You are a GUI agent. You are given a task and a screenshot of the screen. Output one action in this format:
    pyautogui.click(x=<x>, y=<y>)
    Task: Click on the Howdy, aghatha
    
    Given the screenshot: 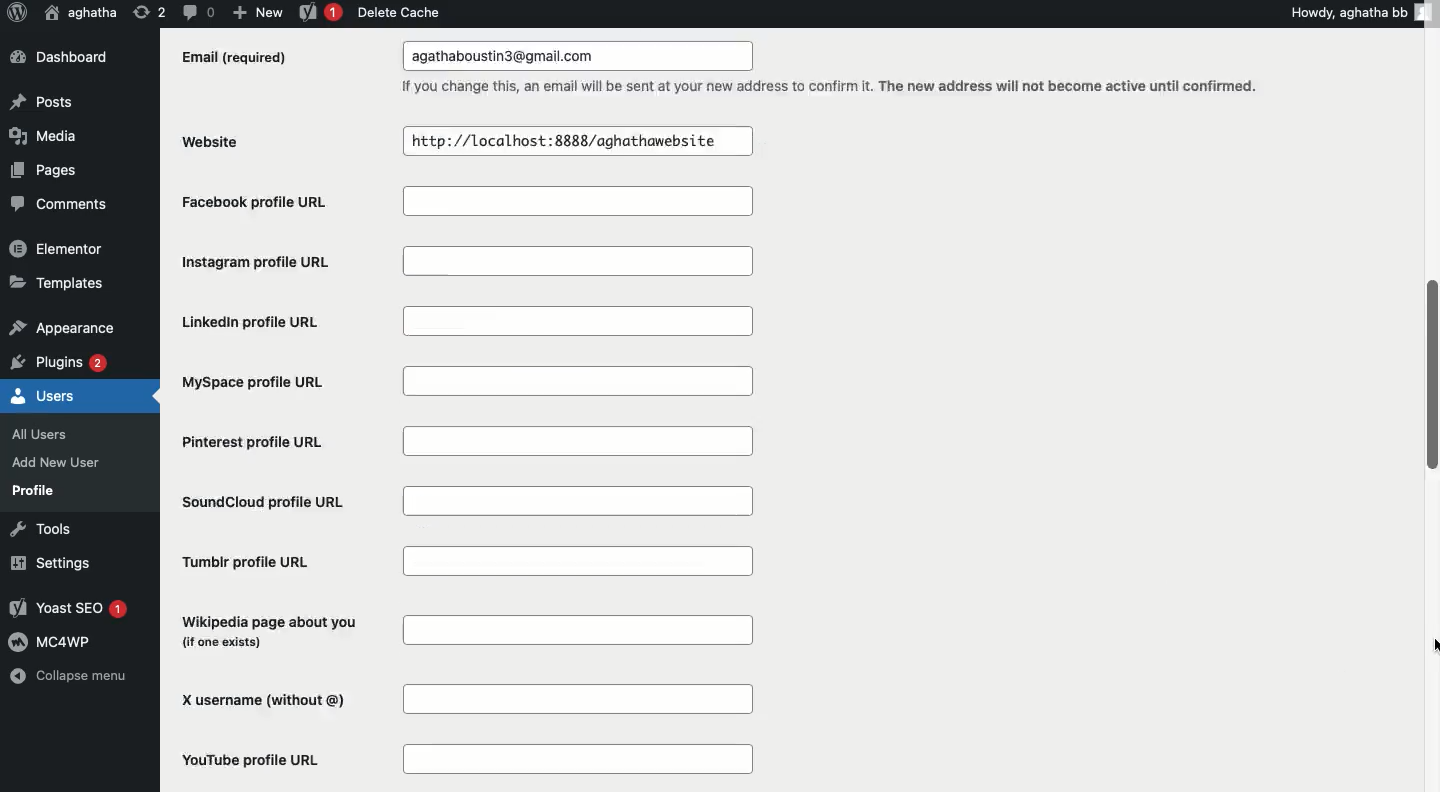 What is the action you would take?
    pyautogui.click(x=1364, y=12)
    